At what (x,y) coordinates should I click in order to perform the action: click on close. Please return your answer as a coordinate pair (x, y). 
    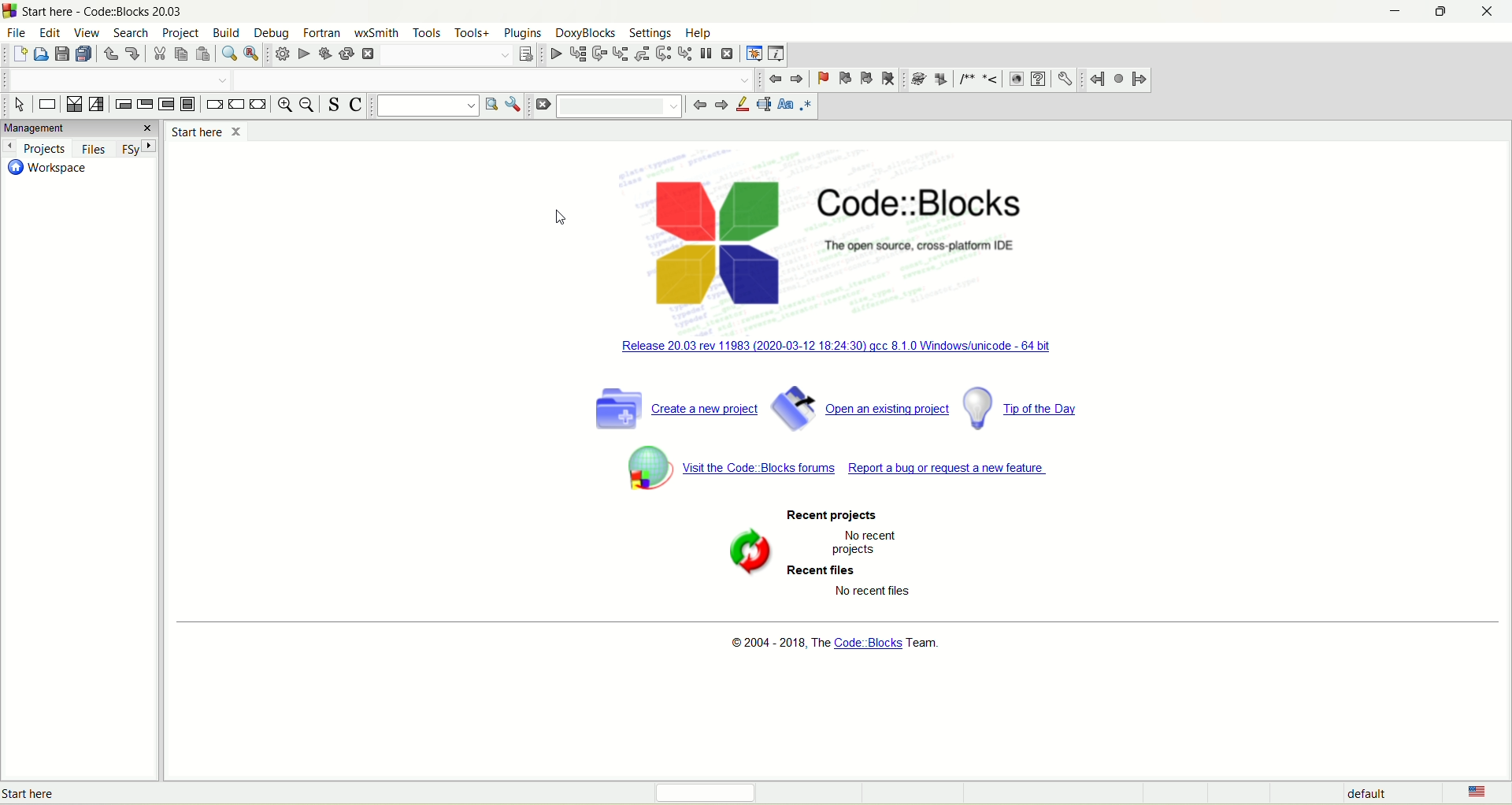
    Looking at the image, I should click on (1491, 14).